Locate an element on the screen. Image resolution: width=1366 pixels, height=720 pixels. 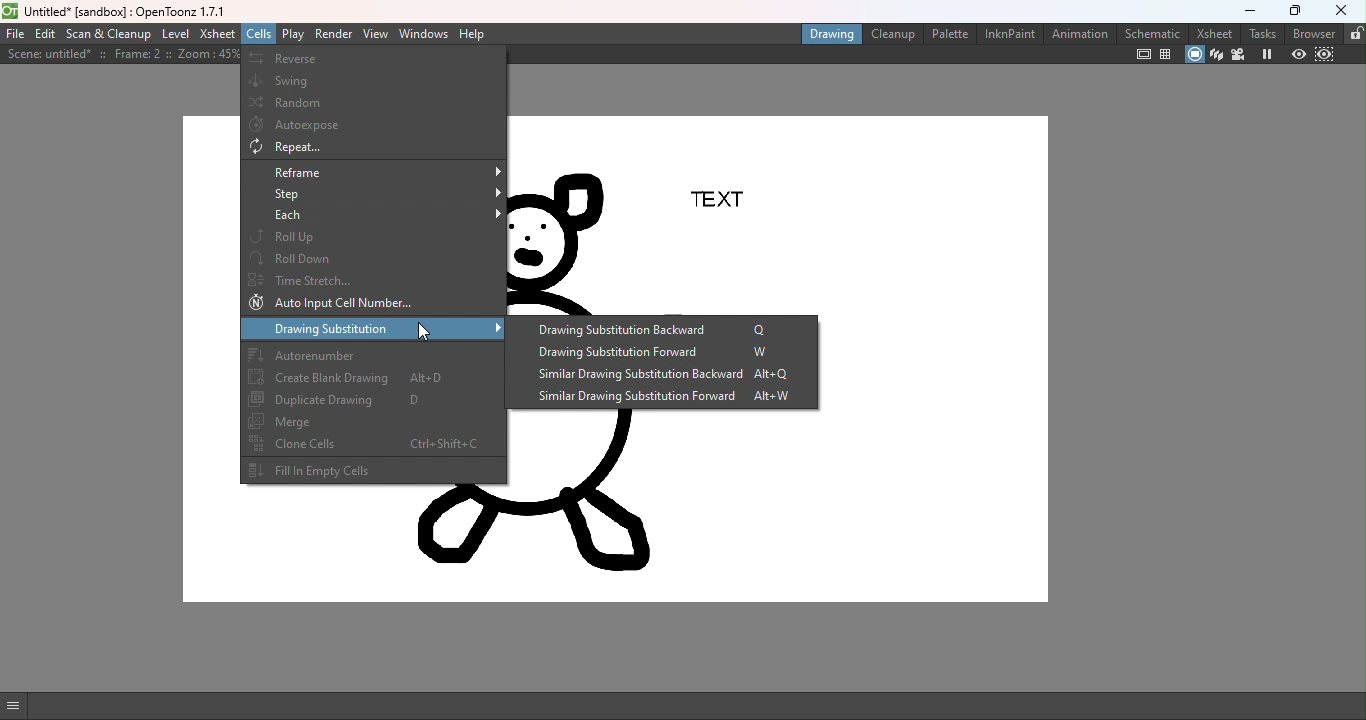
minimize is located at coordinates (1248, 12).